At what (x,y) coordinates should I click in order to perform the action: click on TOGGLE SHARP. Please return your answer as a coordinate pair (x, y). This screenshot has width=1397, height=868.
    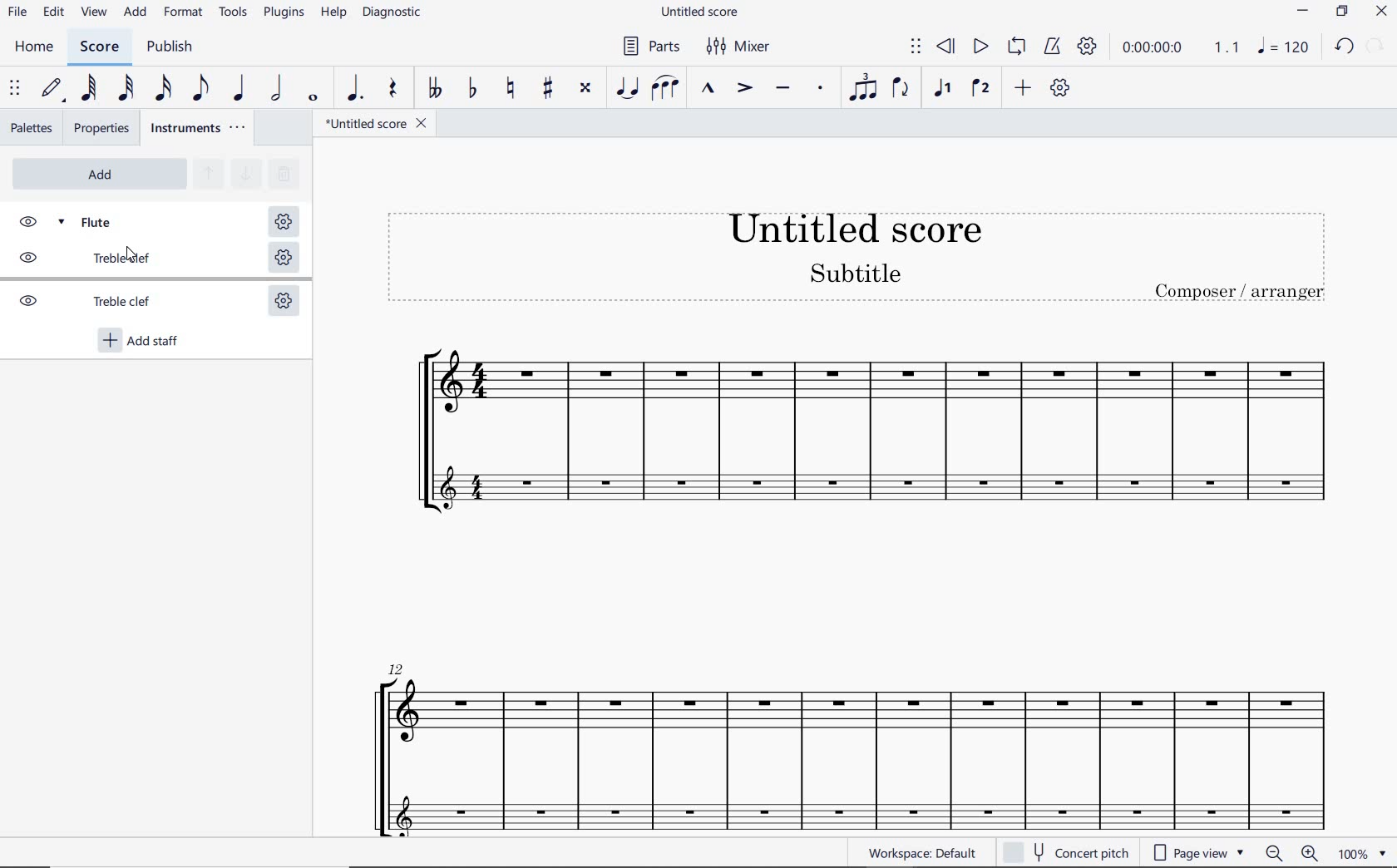
    Looking at the image, I should click on (545, 87).